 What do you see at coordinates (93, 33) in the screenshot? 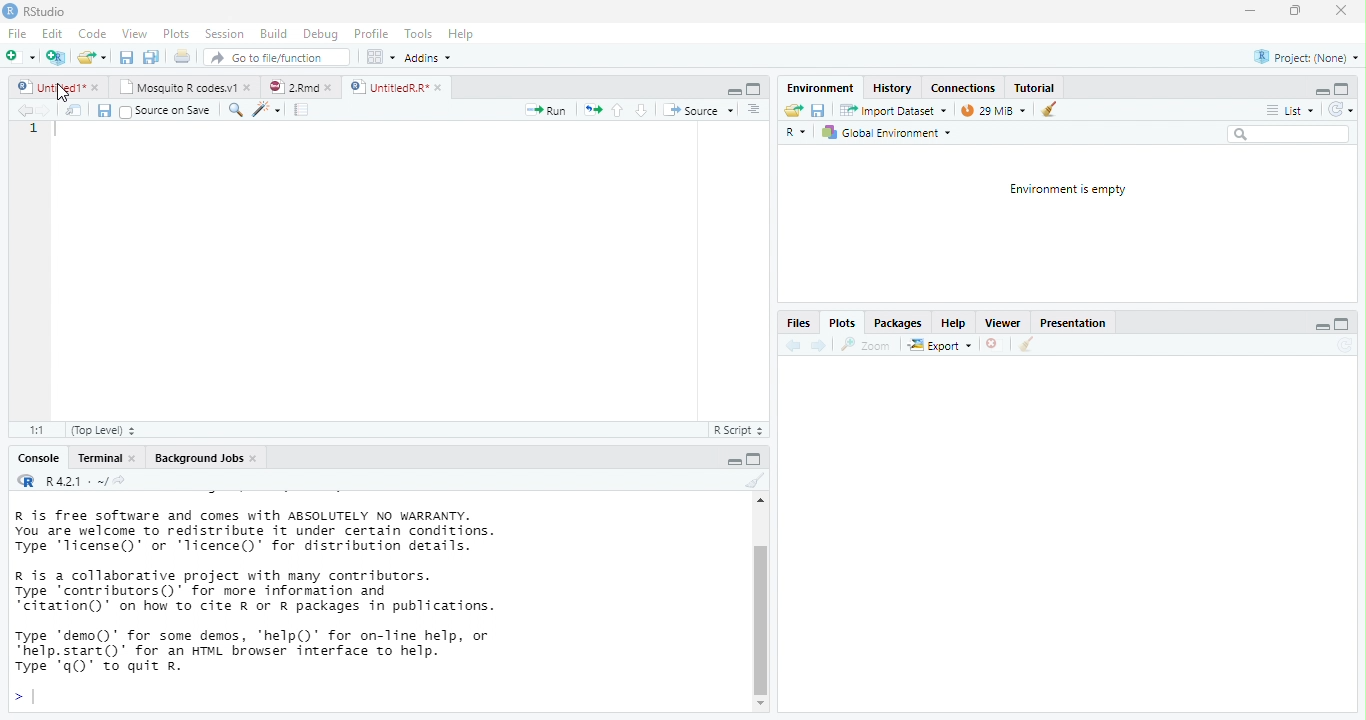
I see `Code` at bounding box center [93, 33].